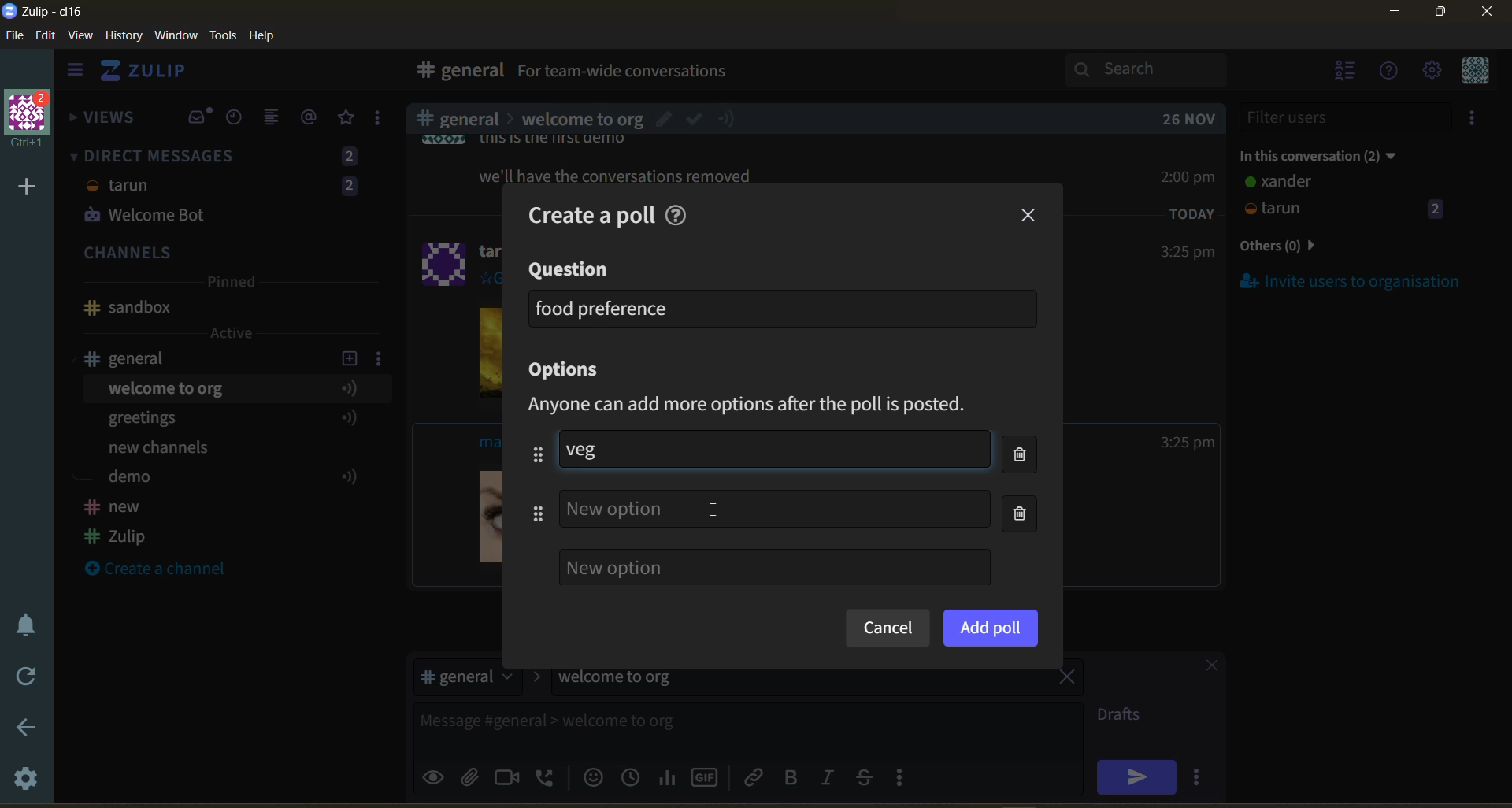 The height and width of the screenshot is (808, 1512). Describe the element at coordinates (1189, 119) in the screenshot. I see `26 nov` at that location.